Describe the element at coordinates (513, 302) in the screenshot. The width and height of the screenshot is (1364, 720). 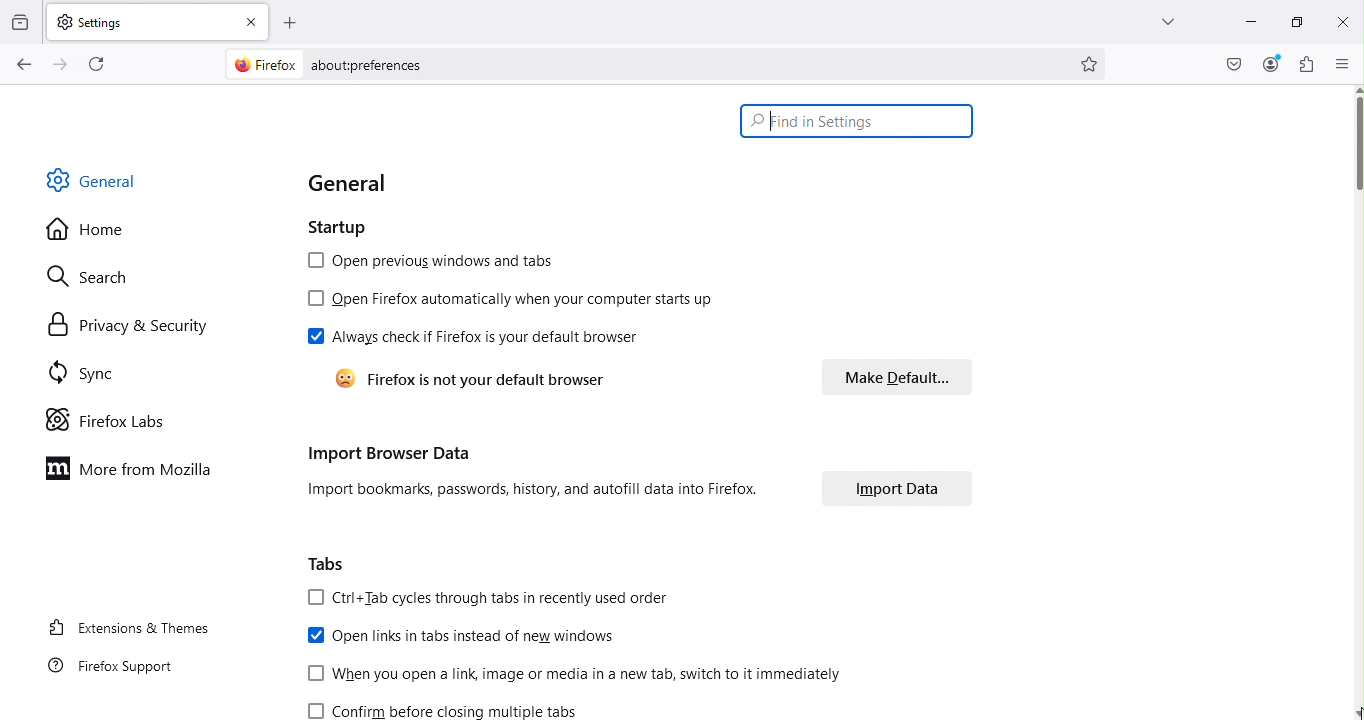
I see `Open firefox automatically when your computer starts up` at that location.